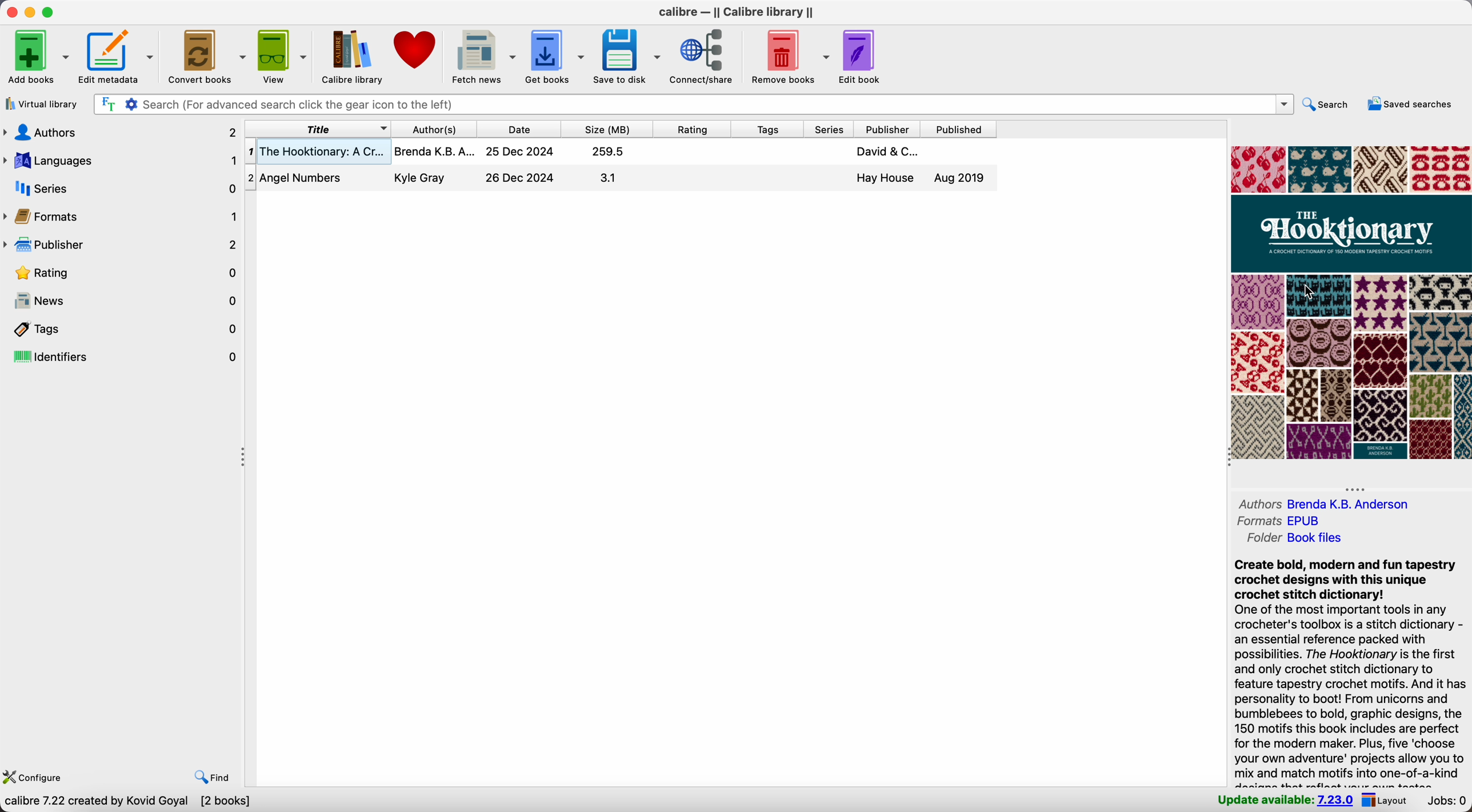 Image resolution: width=1472 pixels, height=812 pixels. What do you see at coordinates (520, 129) in the screenshot?
I see `date` at bounding box center [520, 129].